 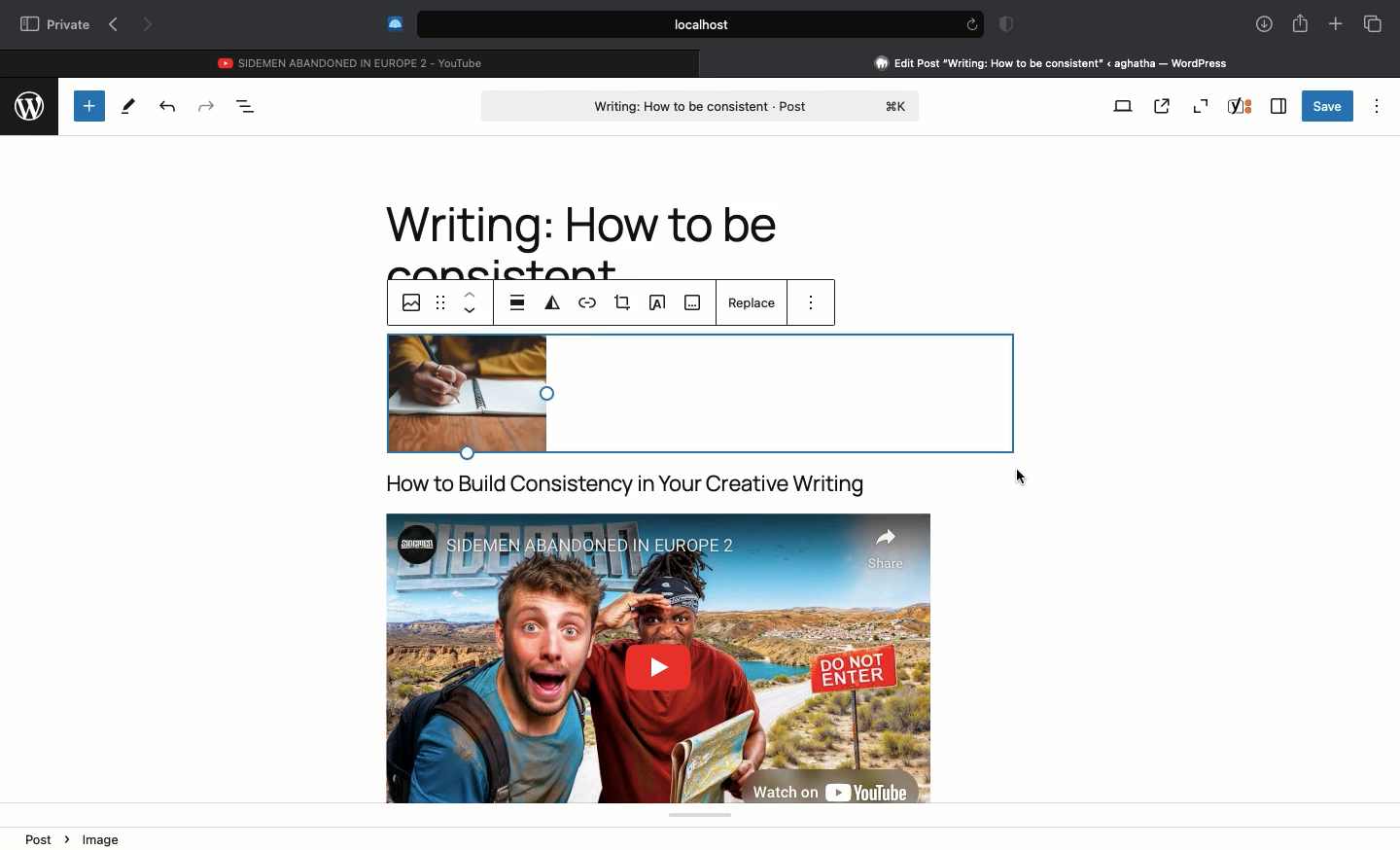 I want to click on Previous page, so click(x=113, y=25).